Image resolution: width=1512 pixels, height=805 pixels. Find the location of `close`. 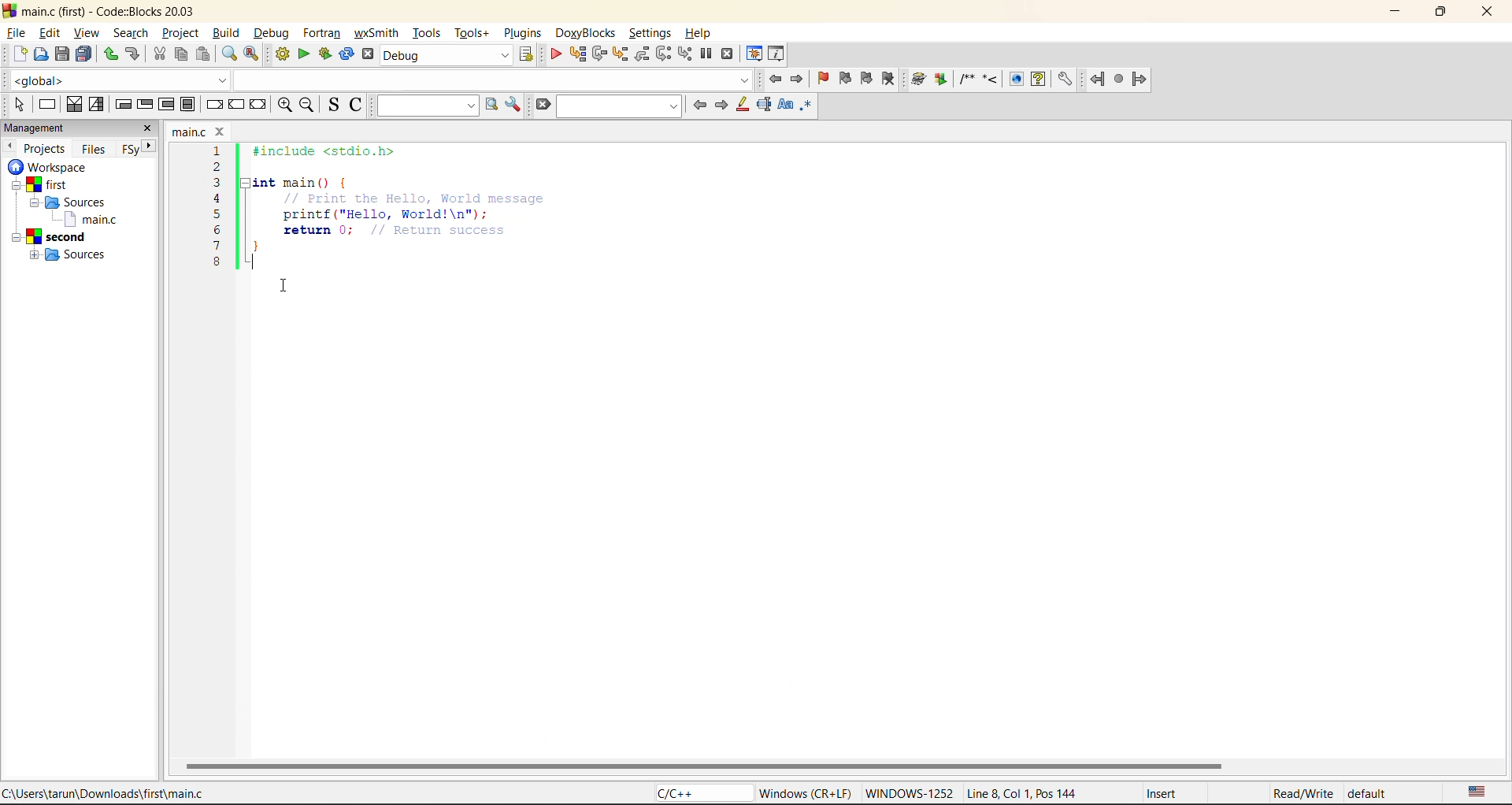

close is located at coordinates (1485, 12).